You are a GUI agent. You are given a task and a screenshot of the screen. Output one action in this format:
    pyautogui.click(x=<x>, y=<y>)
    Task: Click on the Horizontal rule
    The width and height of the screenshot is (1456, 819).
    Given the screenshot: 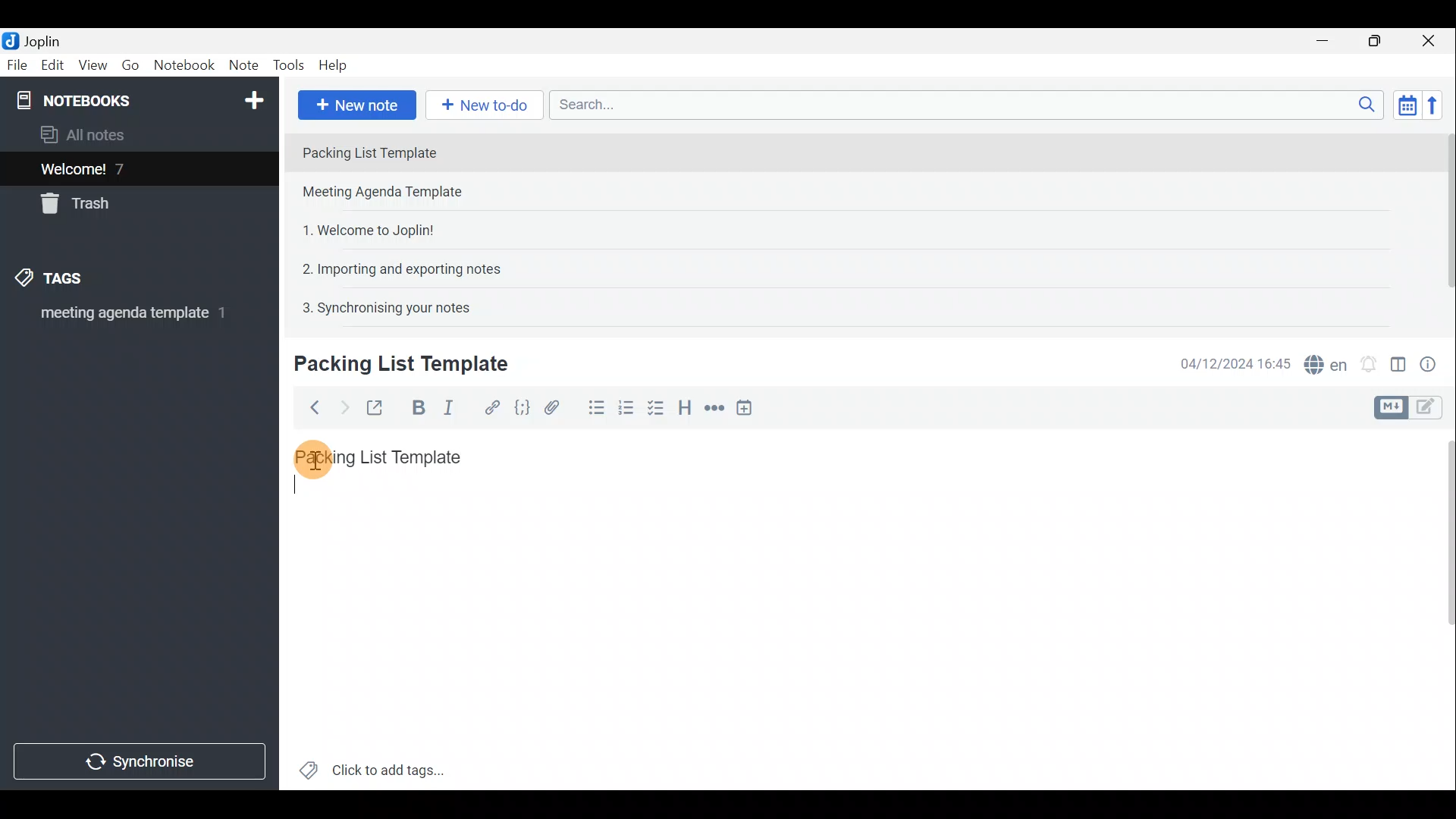 What is the action you would take?
    pyautogui.click(x=712, y=408)
    